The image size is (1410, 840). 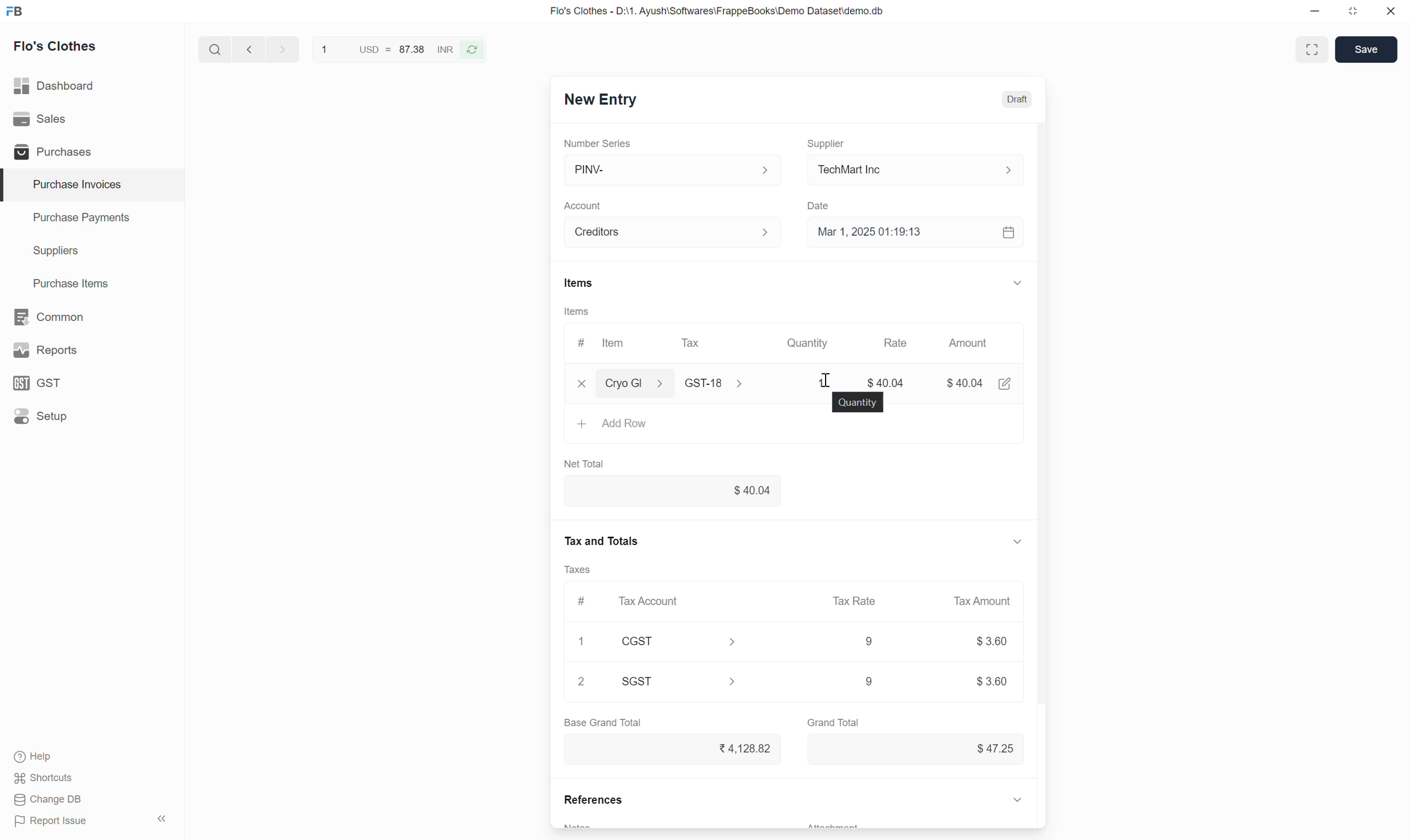 What do you see at coordinates (55, 83) in the screenshot?
I see `Dashboard` at bounding box center [55, 83].